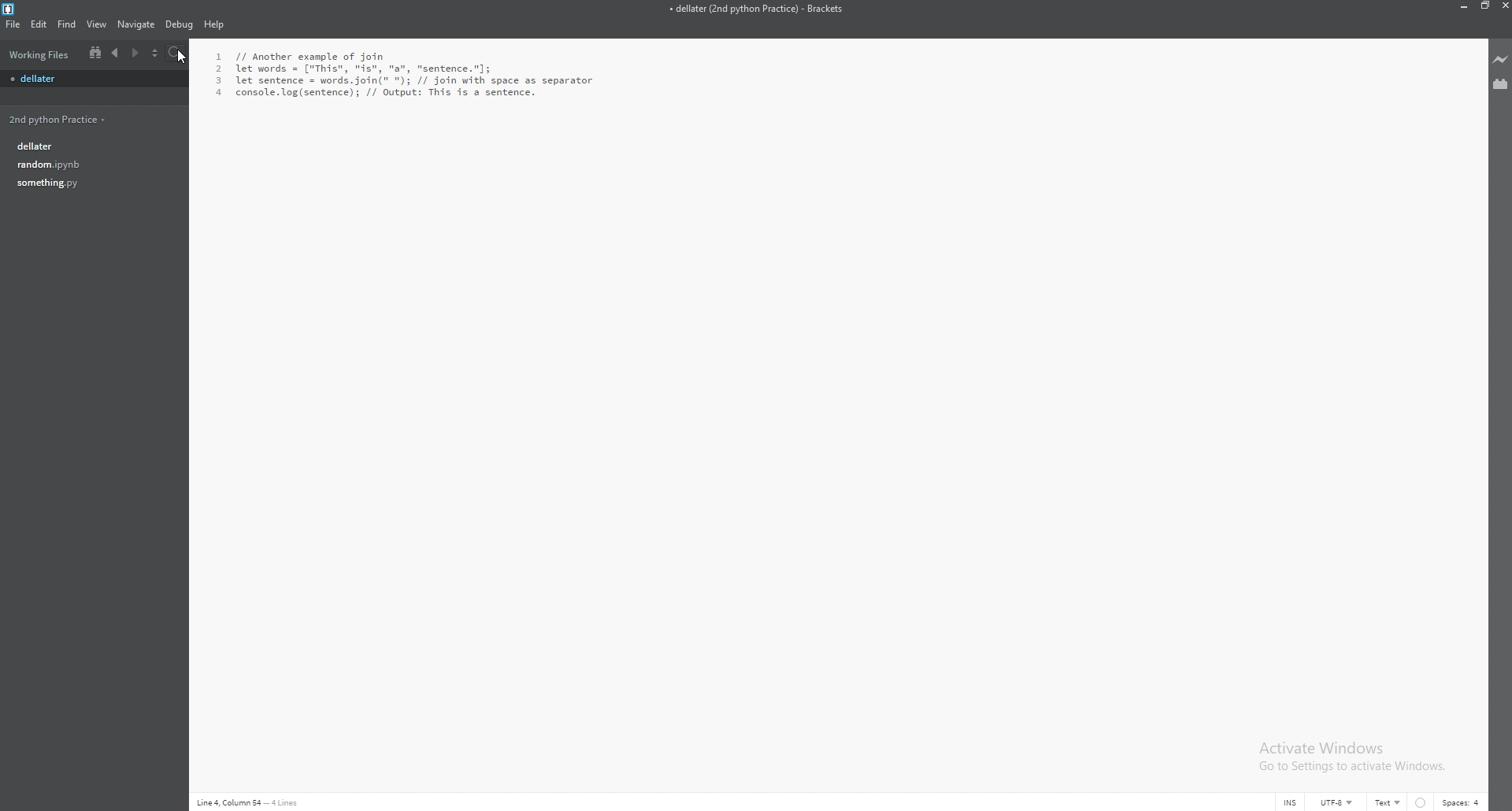  Describe the element at coordinates (214, 24) in the screenshot. I see `help` at that location.